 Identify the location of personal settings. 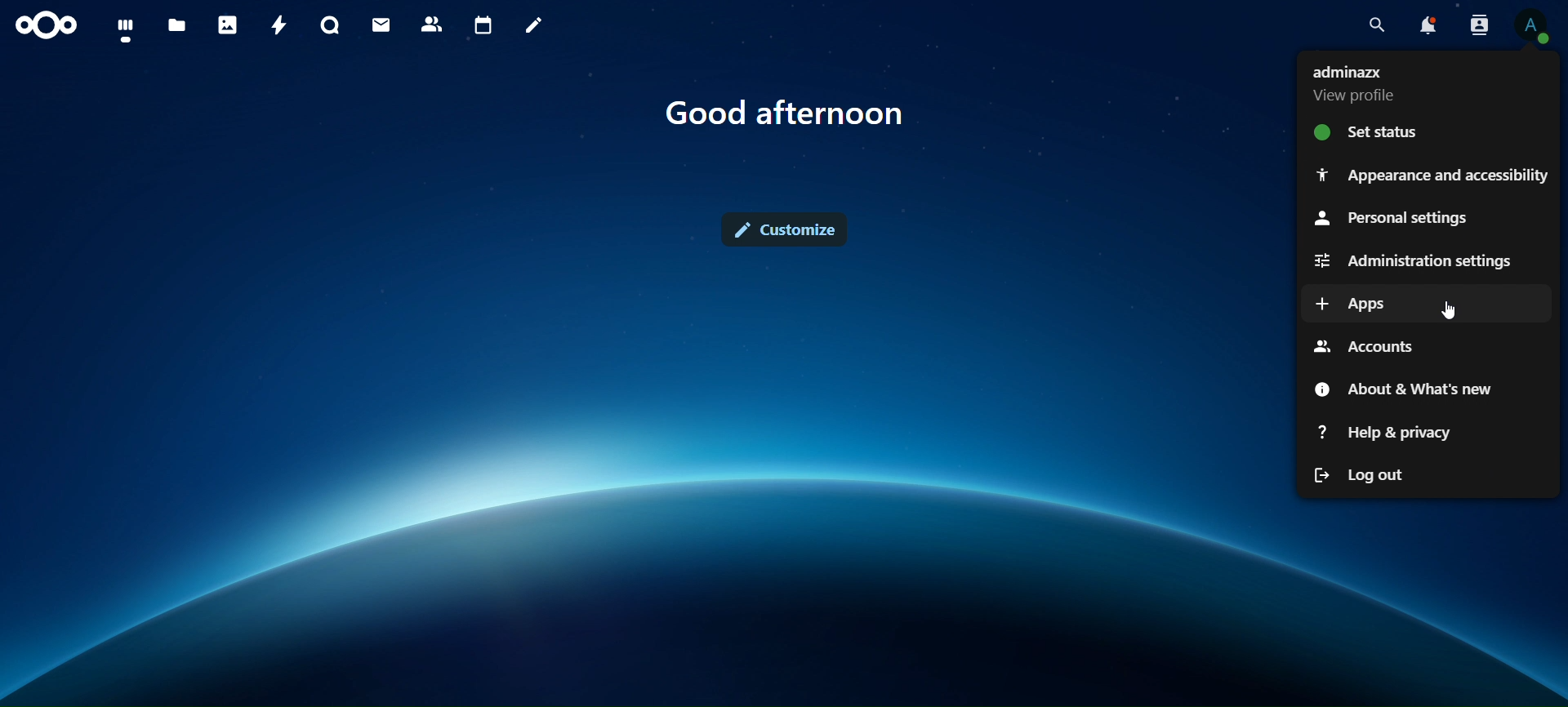
(1393, 217).